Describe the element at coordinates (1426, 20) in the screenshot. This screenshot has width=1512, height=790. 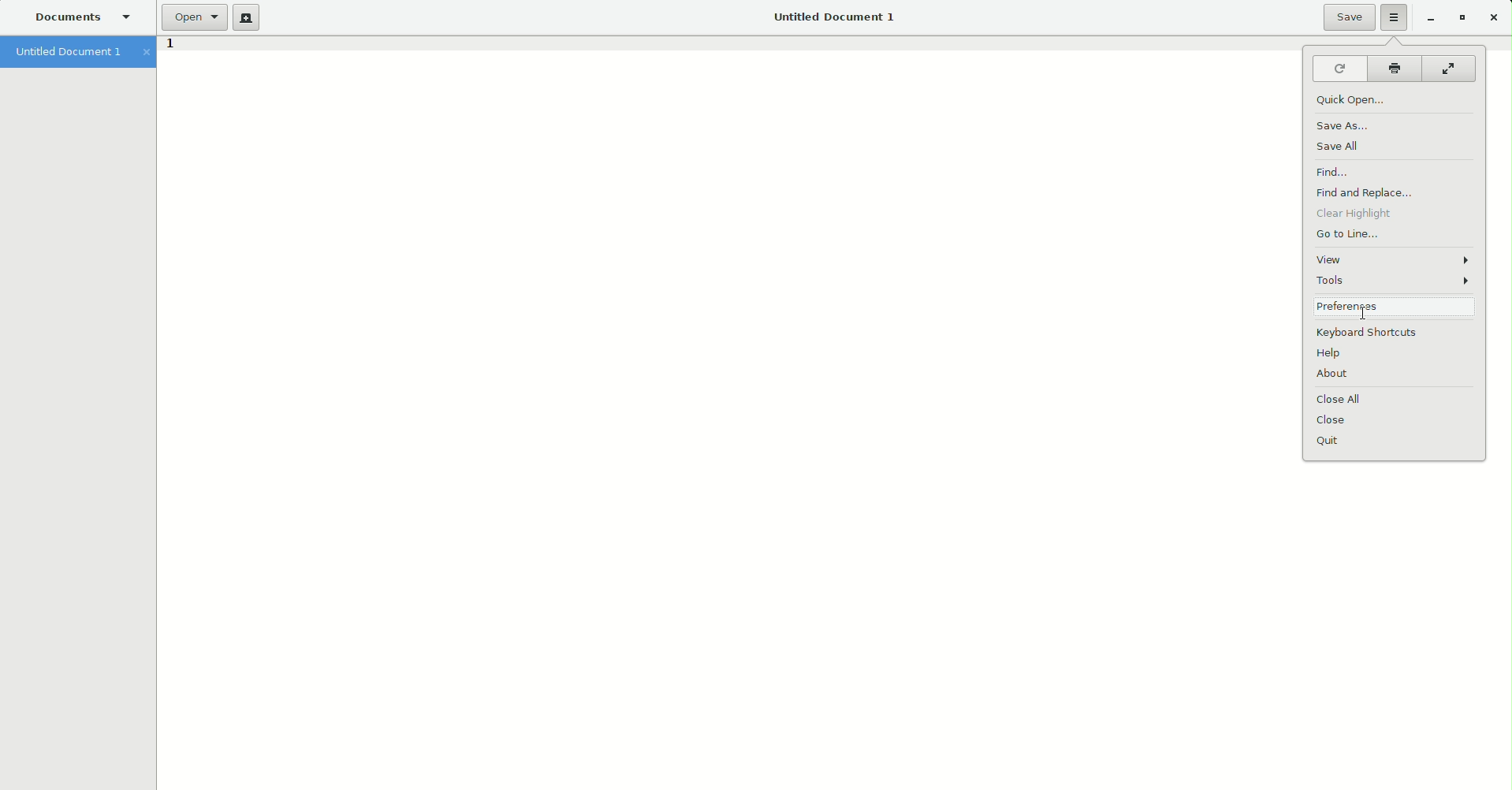
I see `Restore` at that location.